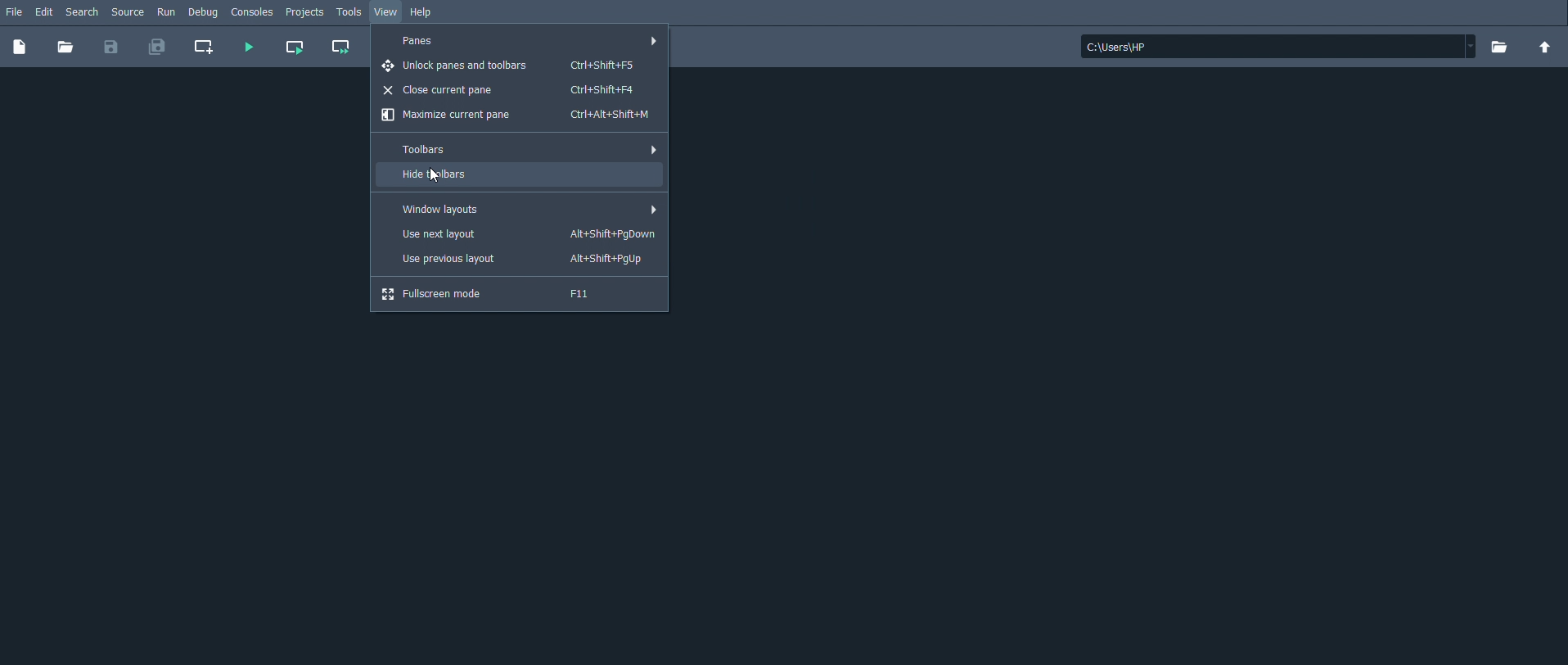 The width and height of the screenshot is (1568, 665). I want to click on Help, so click(422, 11).